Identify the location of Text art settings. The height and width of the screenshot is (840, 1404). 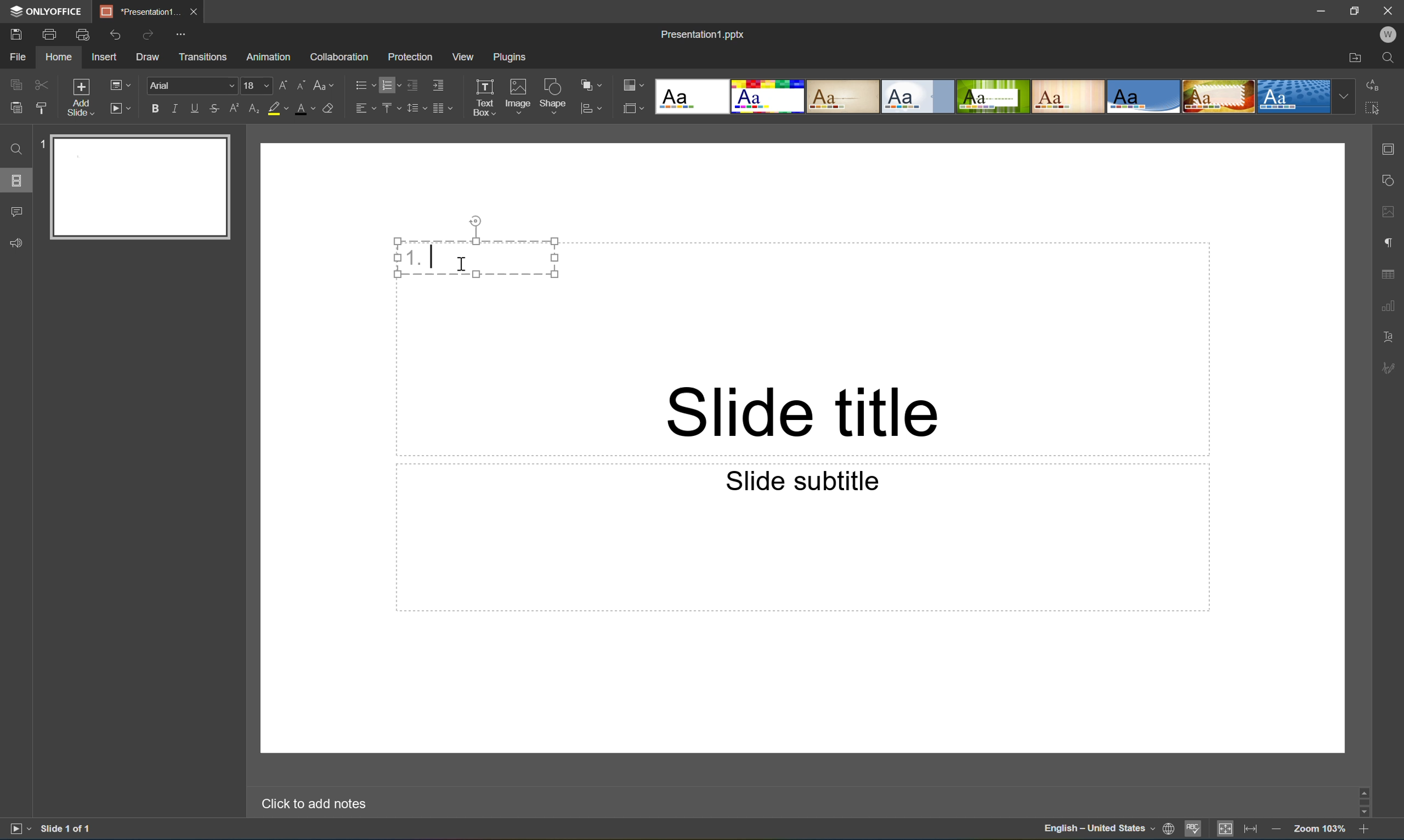
(1390, 336).